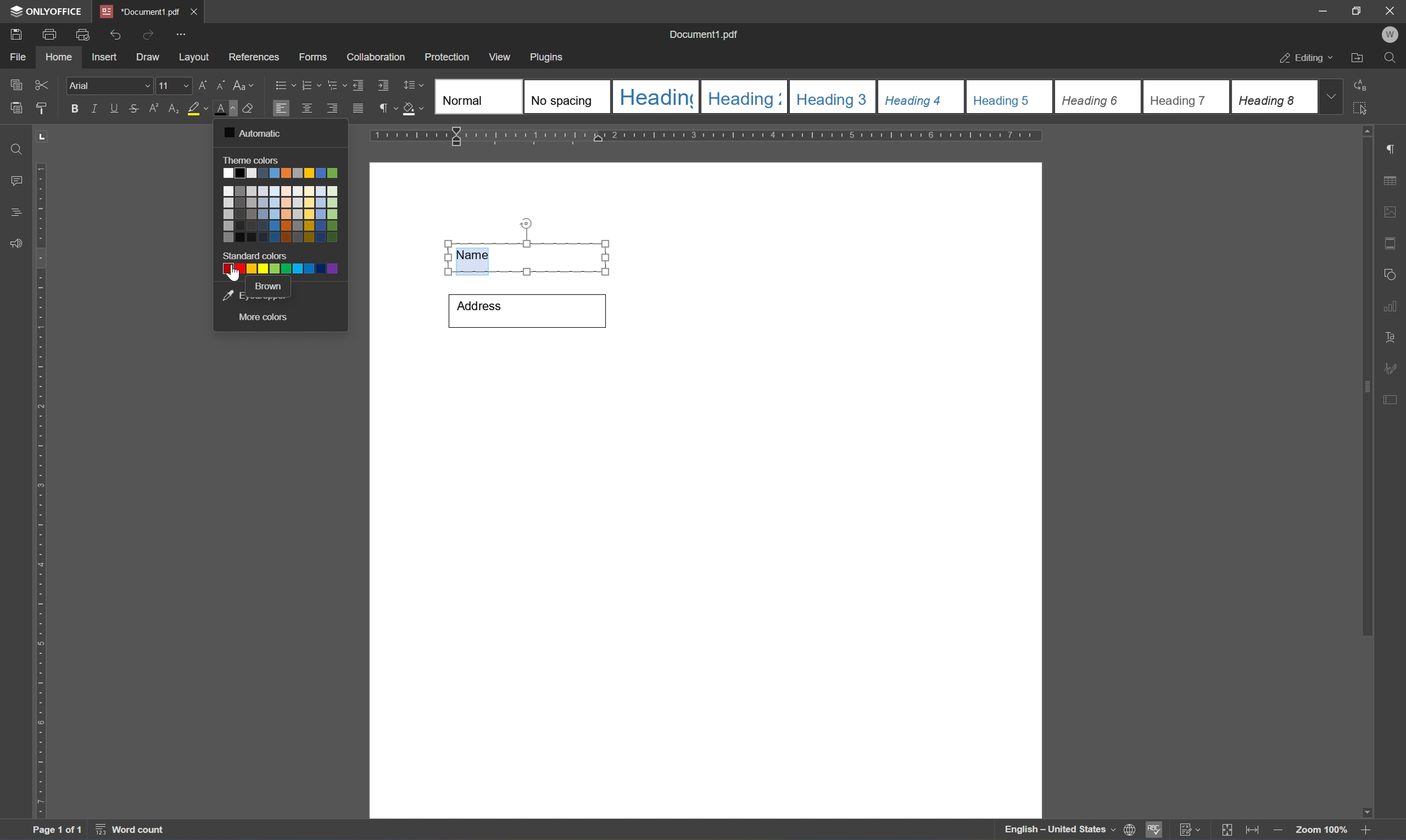  Describe the element at coordinates (44, 11) in the screenshot. I see `ONLYOFFICE` at that location.